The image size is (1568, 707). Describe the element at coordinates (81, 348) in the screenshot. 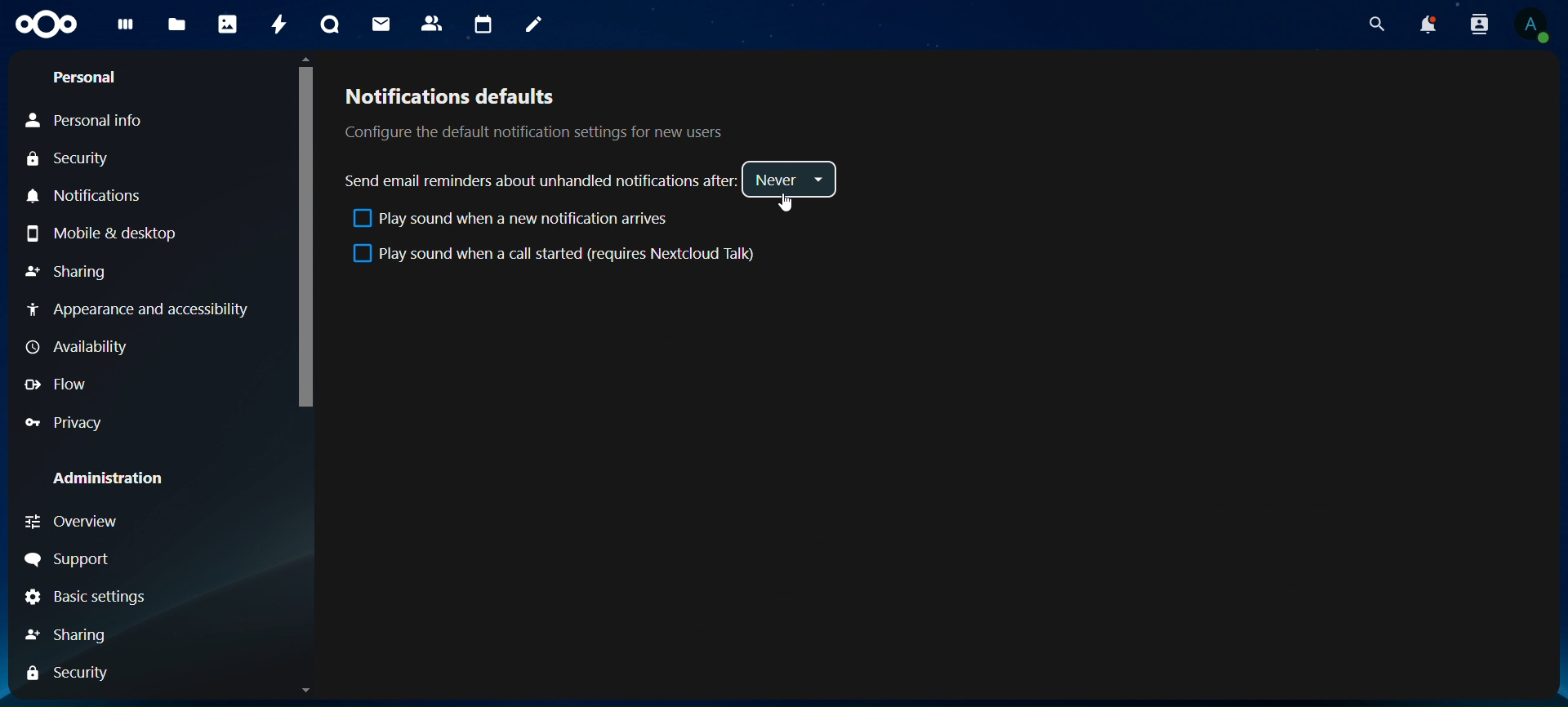

I see `Availability` at that location.